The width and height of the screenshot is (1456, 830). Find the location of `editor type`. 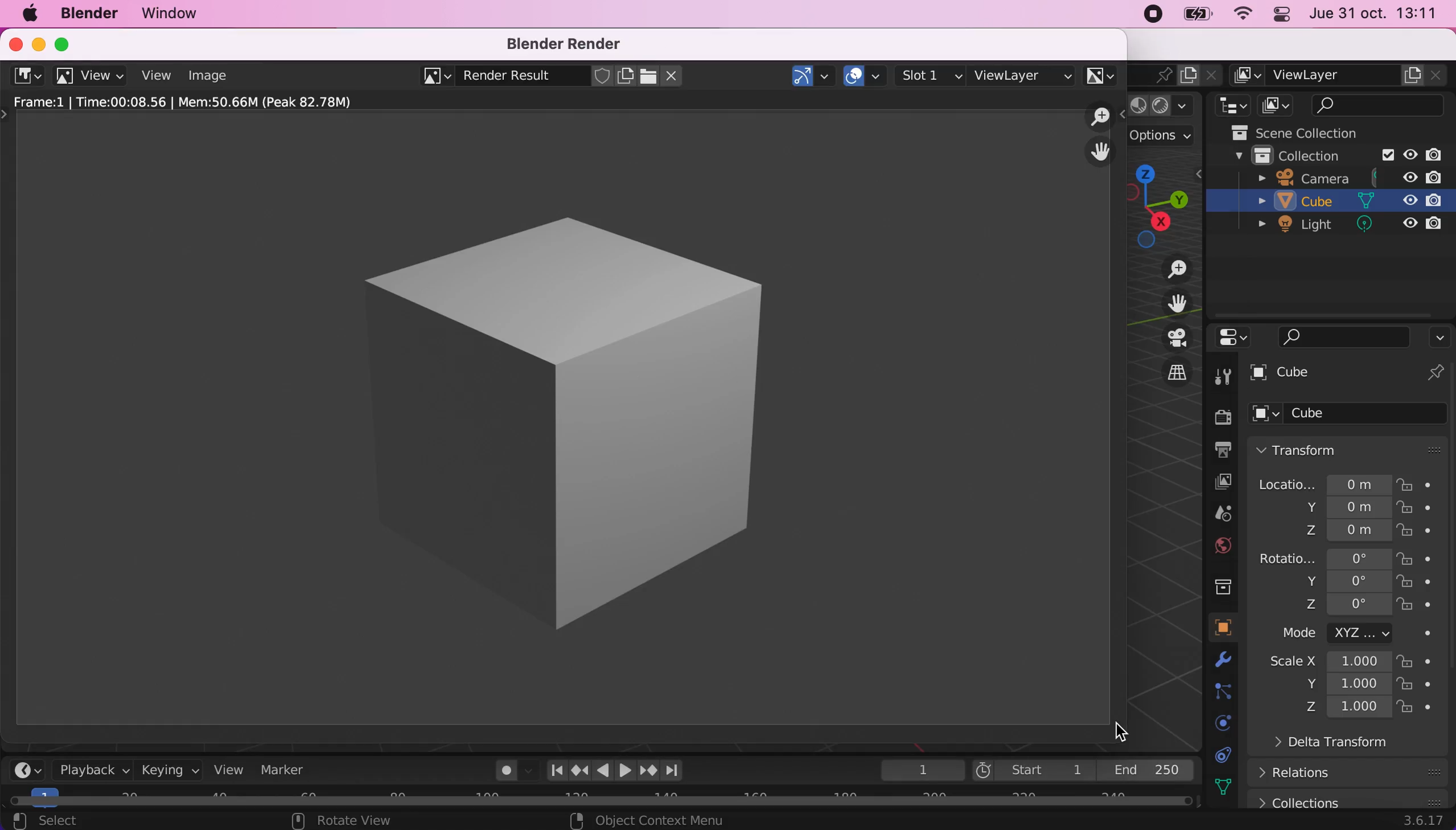

editor type is located at coordinates (1229, 105).